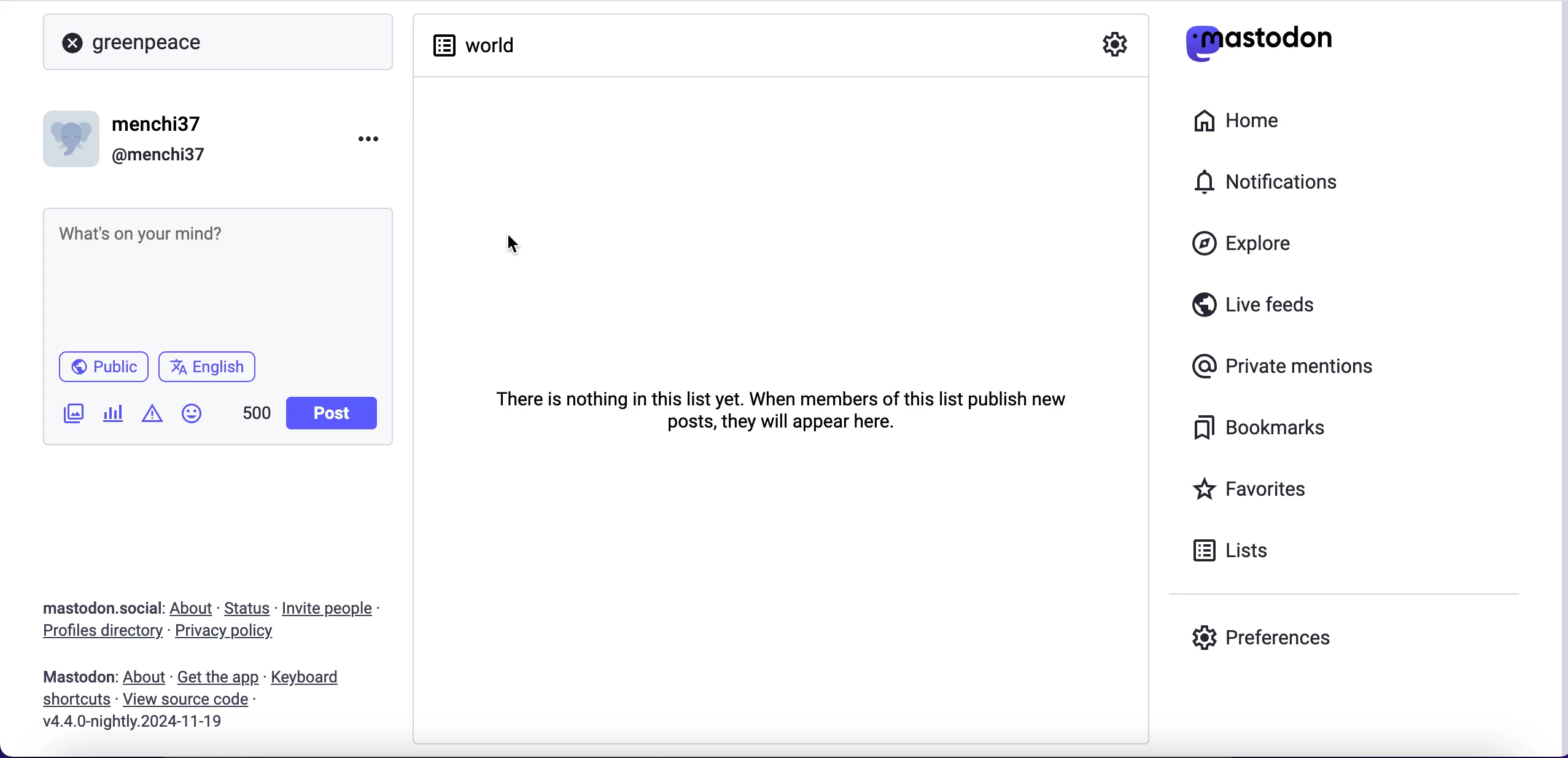 Image resolution: width=1568 pixels, height=758 pixels. Describe the element at coordinates (1259, 40) in the screenshot. I see `mastodon logo` at that location.